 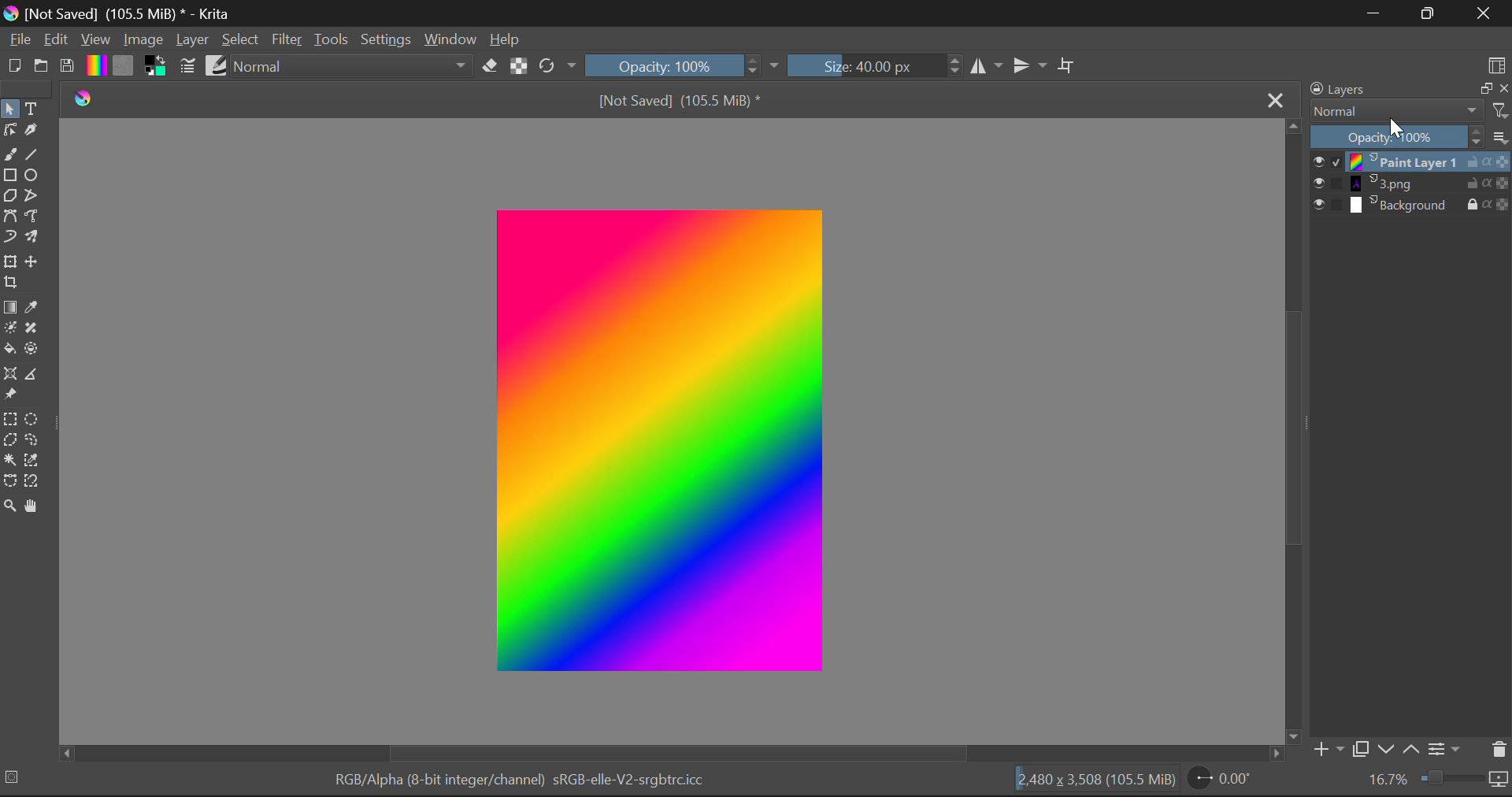 What do you see at coordinates (506, 40) in the screenshot?
I see `Help` at bounding box center [506, 40].